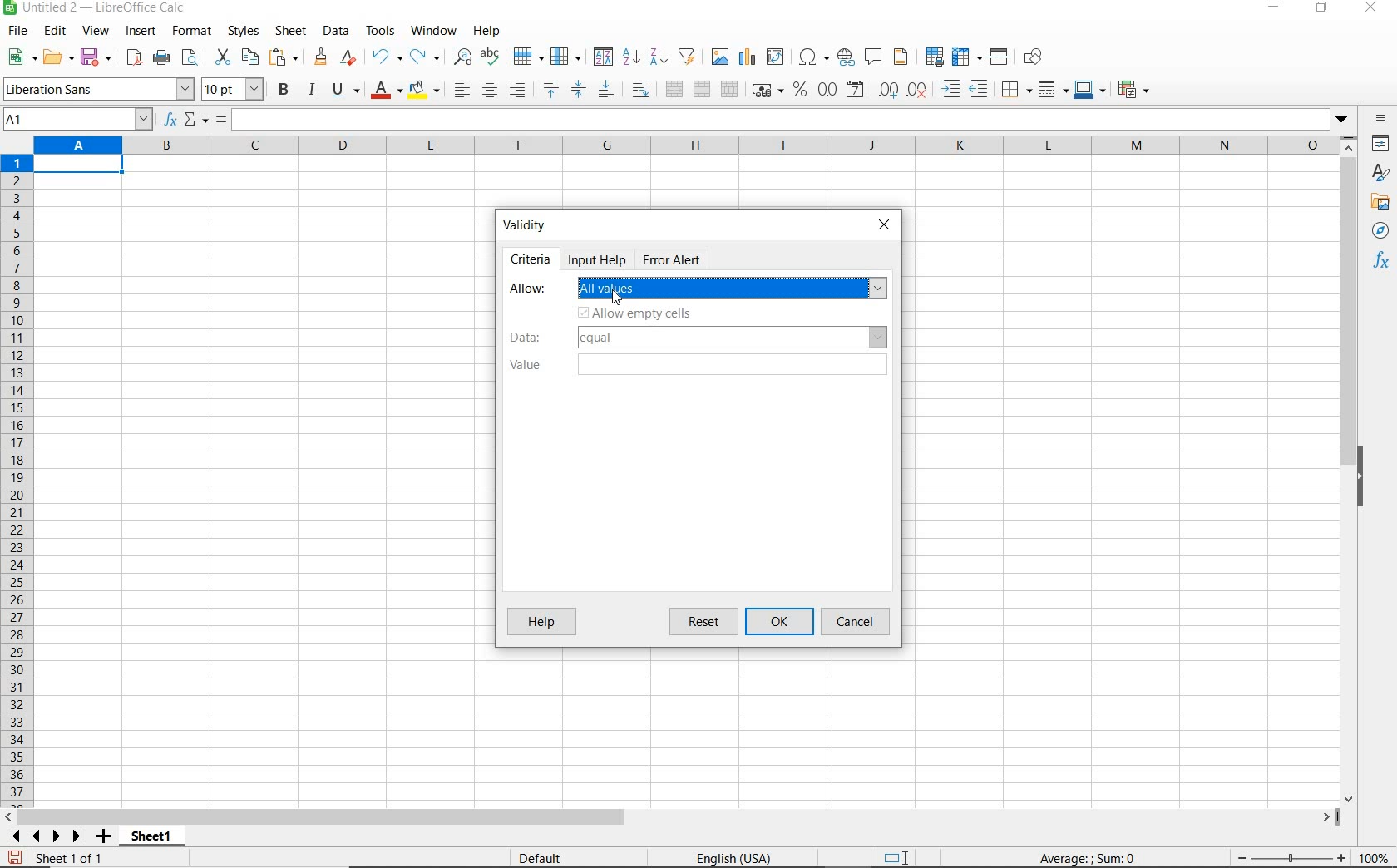 This screenshot has width=1397, height=868. What do you see at coordinates (242, 32) in the screenshot?
I see `styles` at bounding box center [242, 32].